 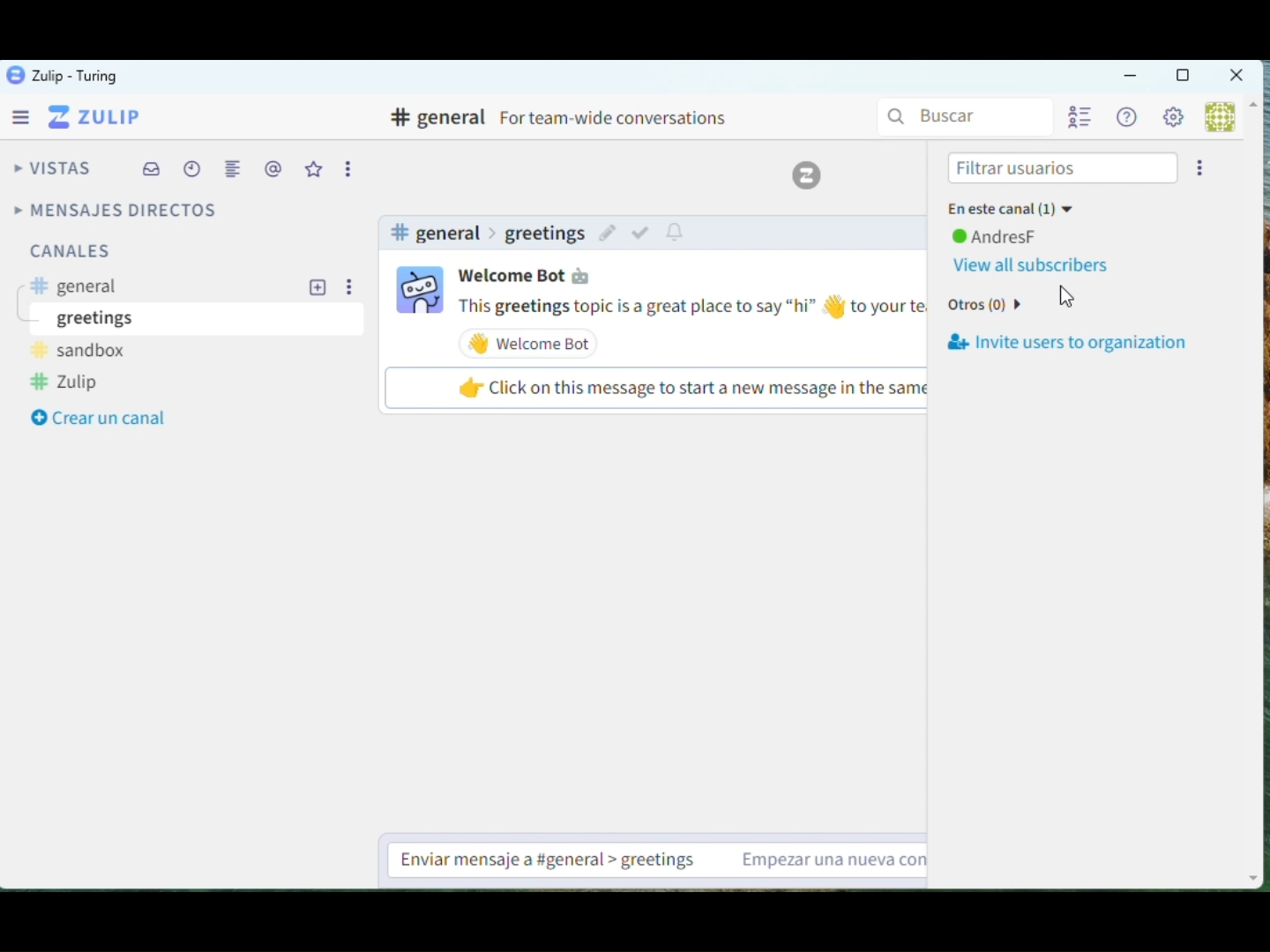 I want to click on user name, so click(x=527, y=275).